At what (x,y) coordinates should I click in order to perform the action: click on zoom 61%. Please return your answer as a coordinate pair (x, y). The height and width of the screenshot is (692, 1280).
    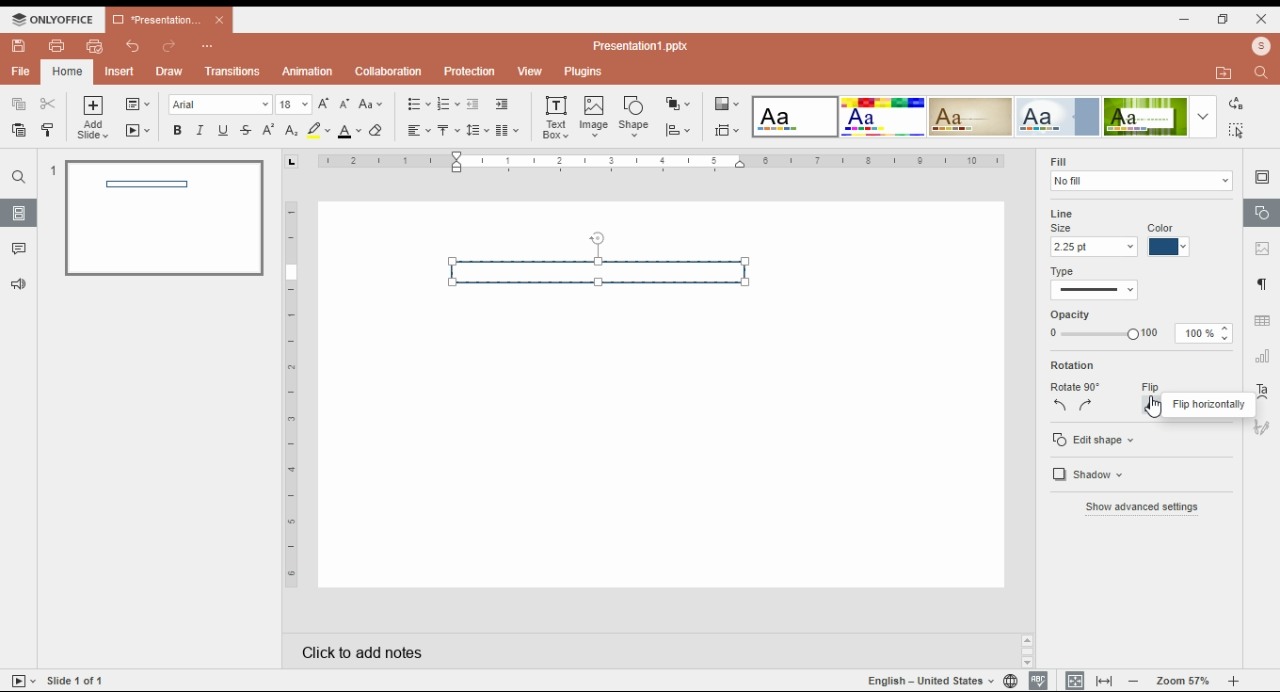
    Looking at the image, I should click on (1181, 681).